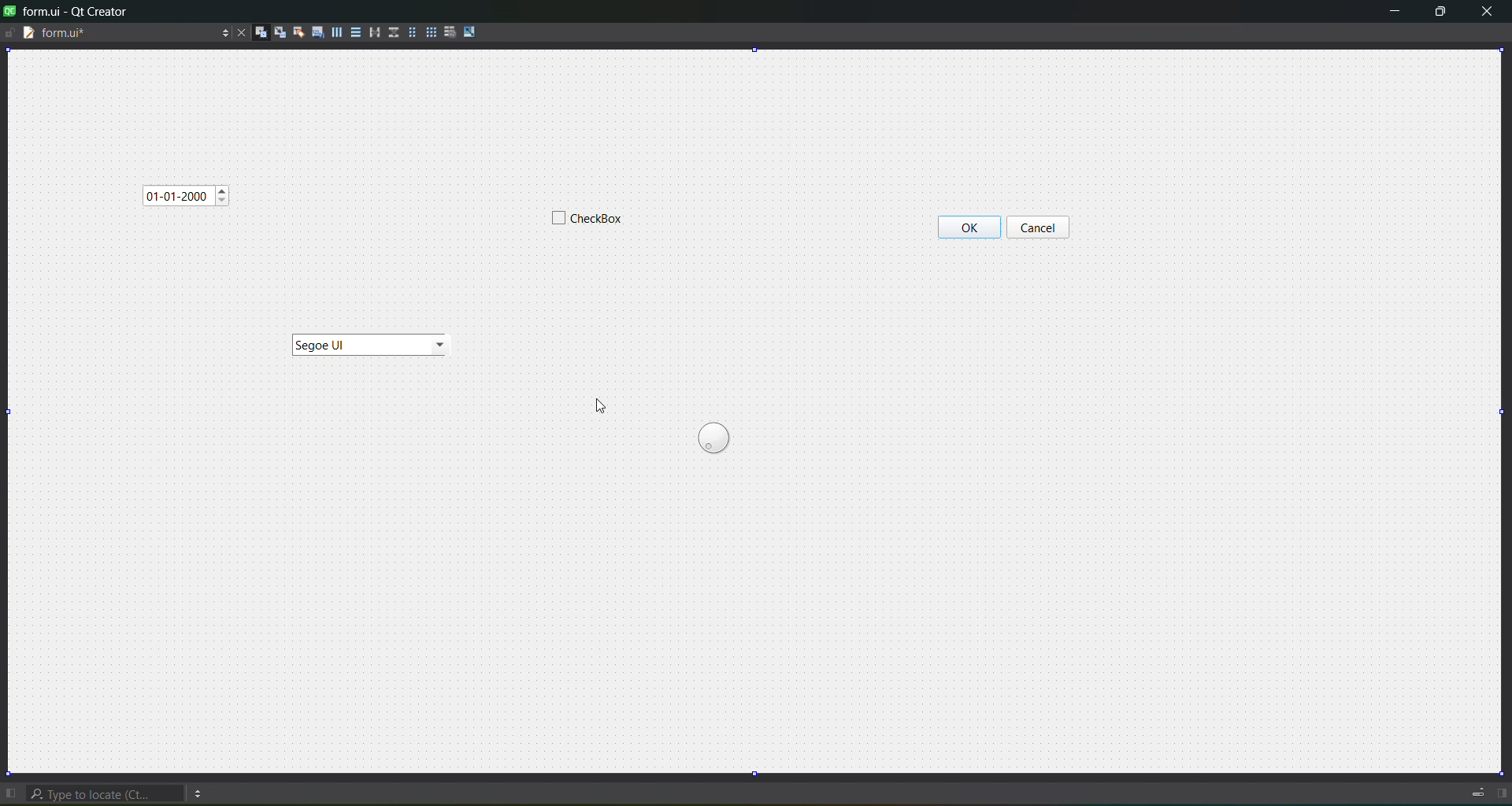 The image size is (1512, 806). Describe the element at coordinates (276, 32) in the screenshot. I see `signals` at that location.